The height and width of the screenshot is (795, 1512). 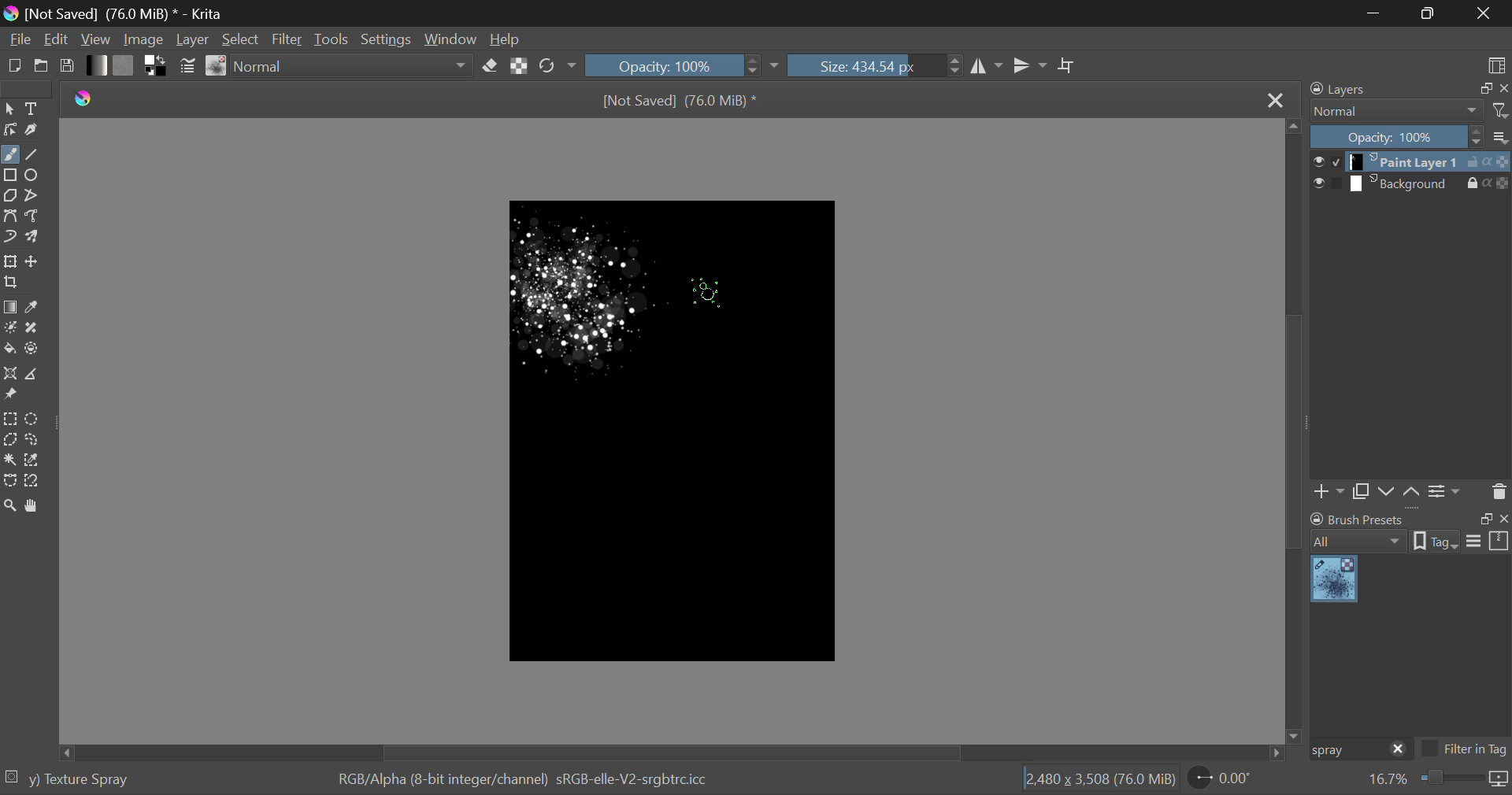 What do you see at coordinates (1499, 780) in the screenshot?
I see `icon` at bounding box center [1499, 780].